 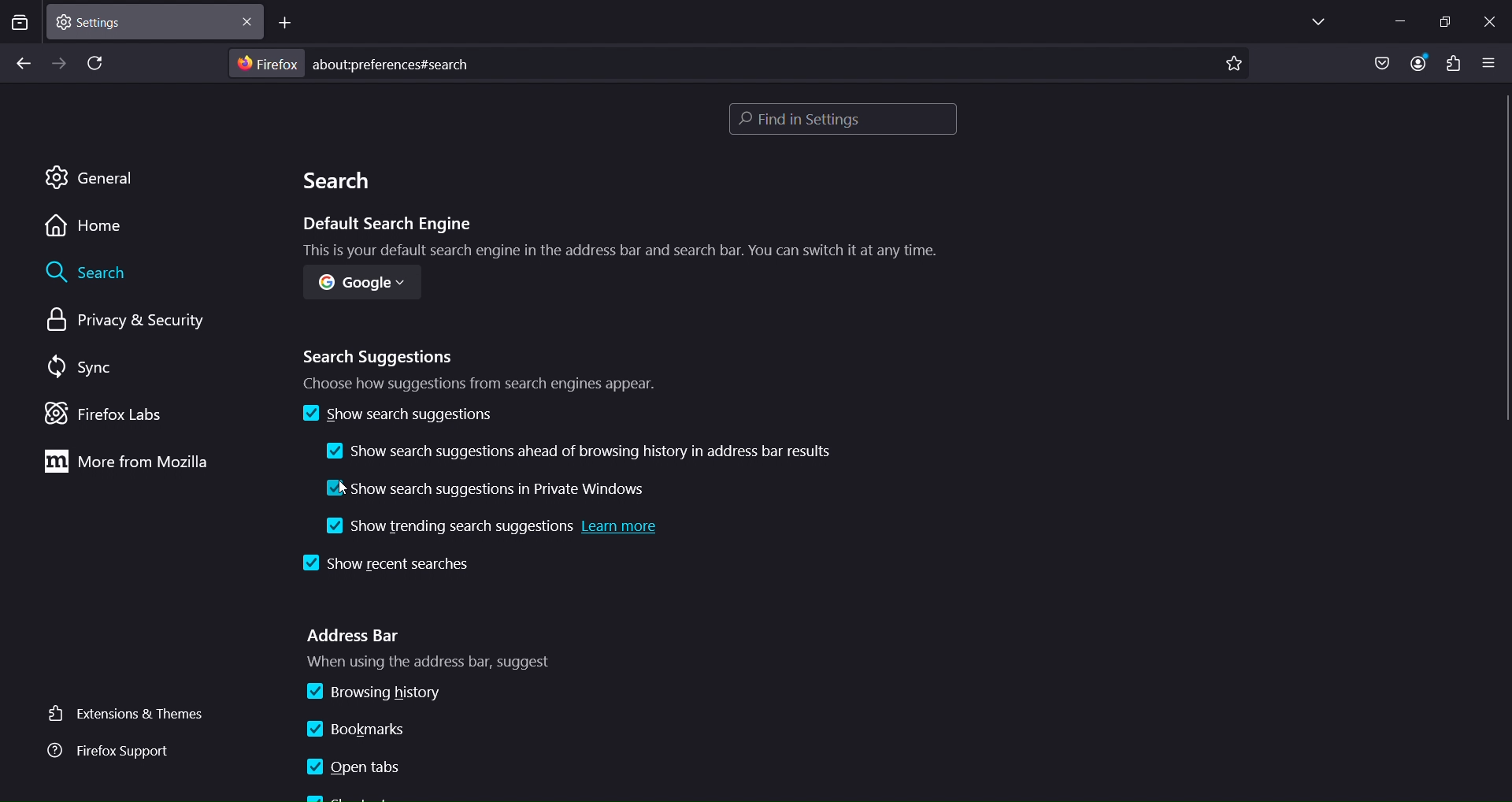 I want to click on list all tabs, so click(x=1315, y=22).